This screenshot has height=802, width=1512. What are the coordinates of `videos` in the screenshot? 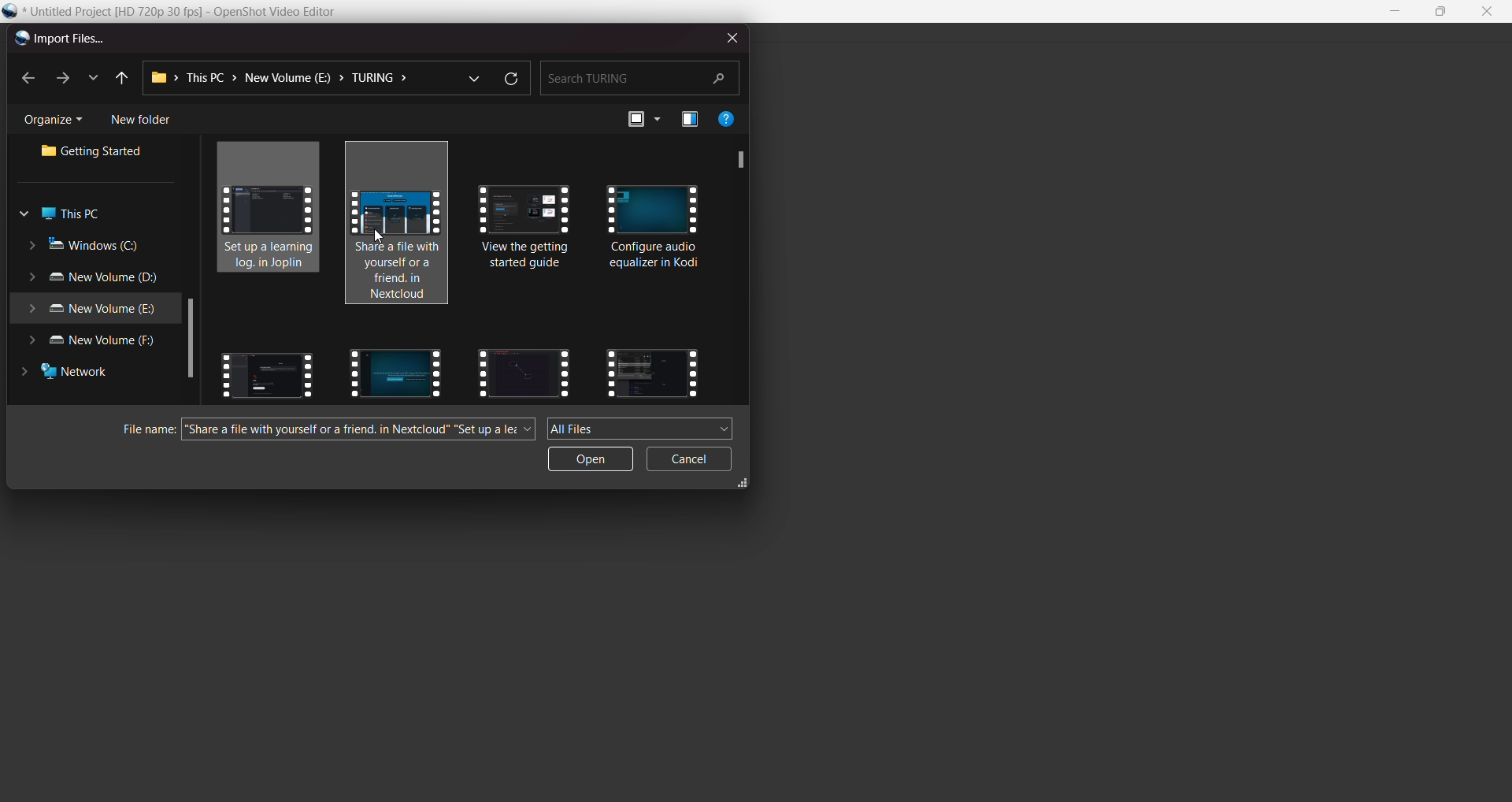 It's located at (529, 239).